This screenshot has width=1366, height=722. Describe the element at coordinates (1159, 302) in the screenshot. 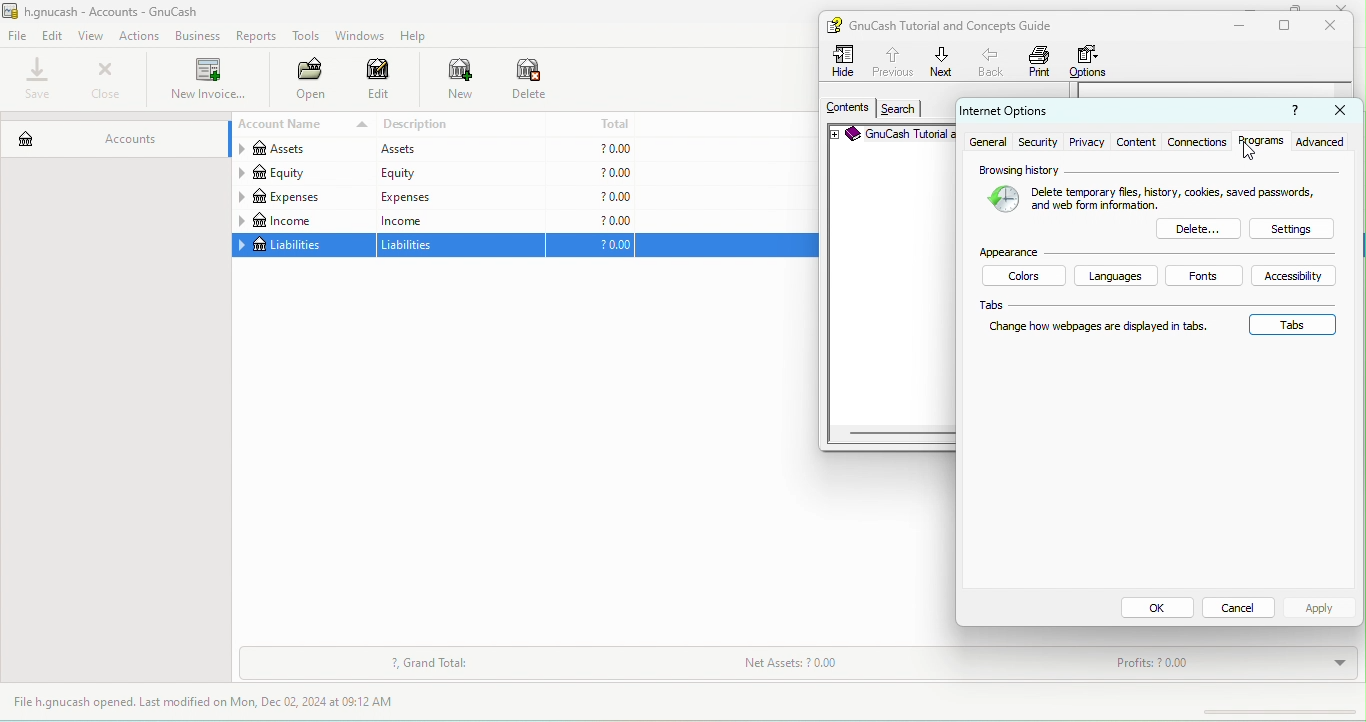

I see `tabs` at that location.